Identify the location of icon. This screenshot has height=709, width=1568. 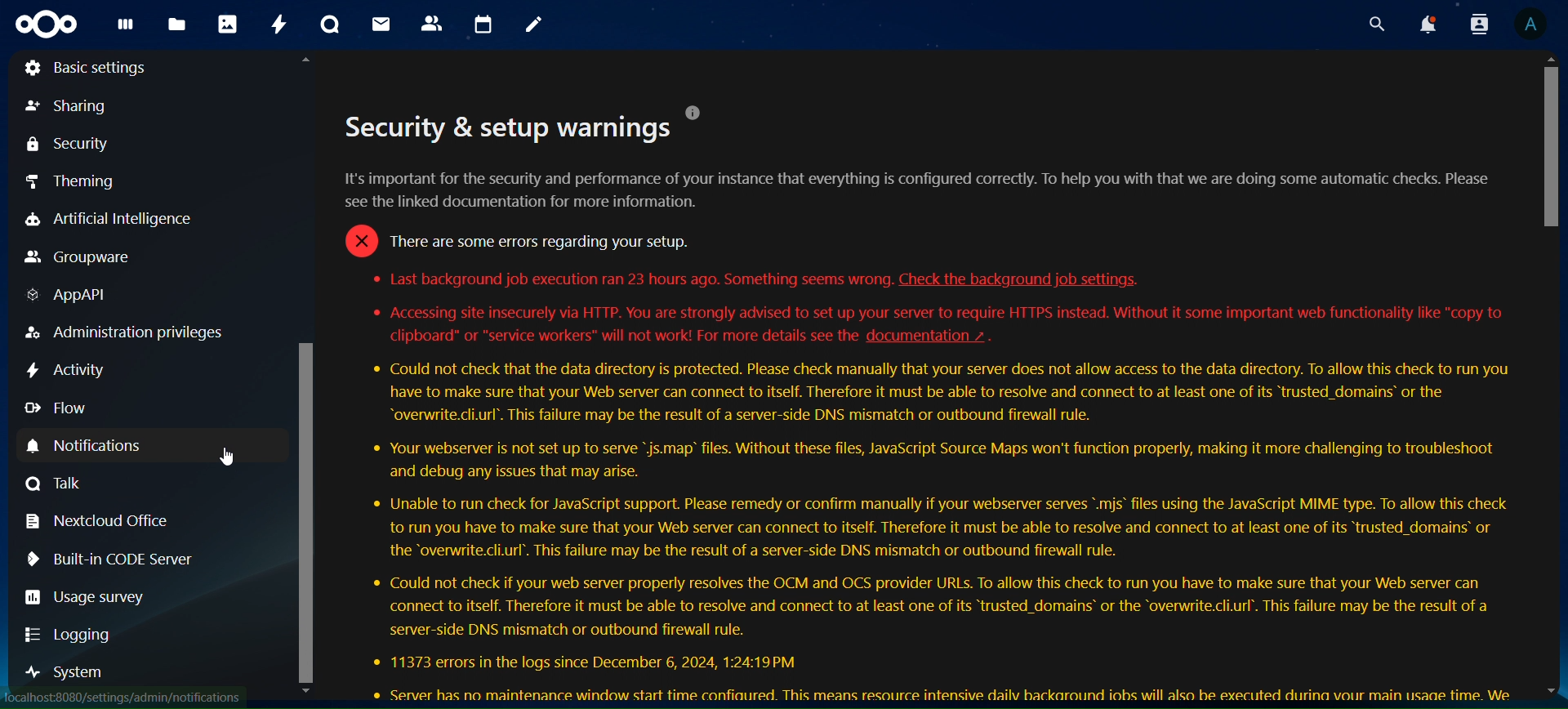
(44, 26).